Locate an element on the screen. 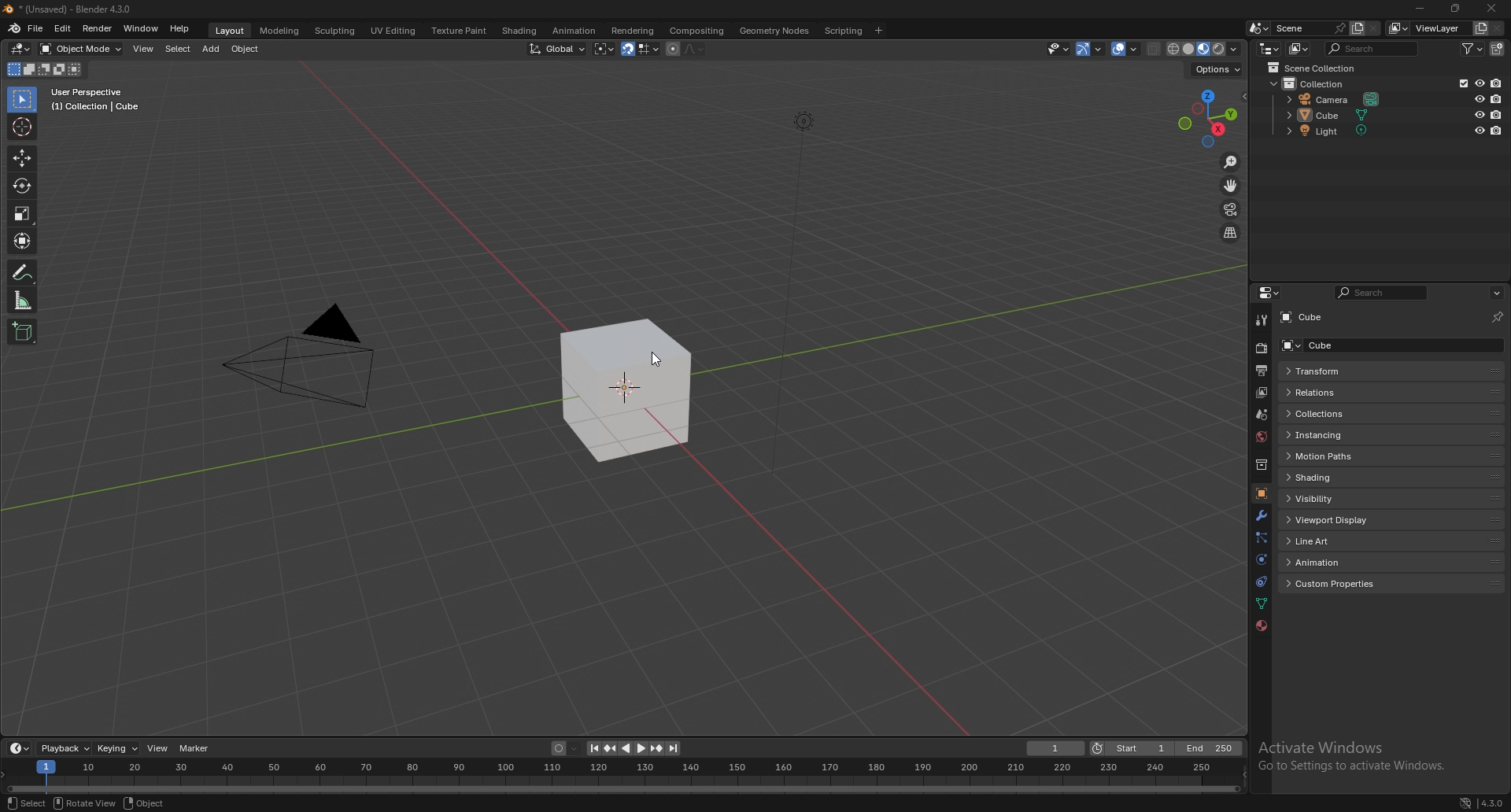 The image size is (1511, 812). proportional editing fall off is located at coordinates (691, 48).